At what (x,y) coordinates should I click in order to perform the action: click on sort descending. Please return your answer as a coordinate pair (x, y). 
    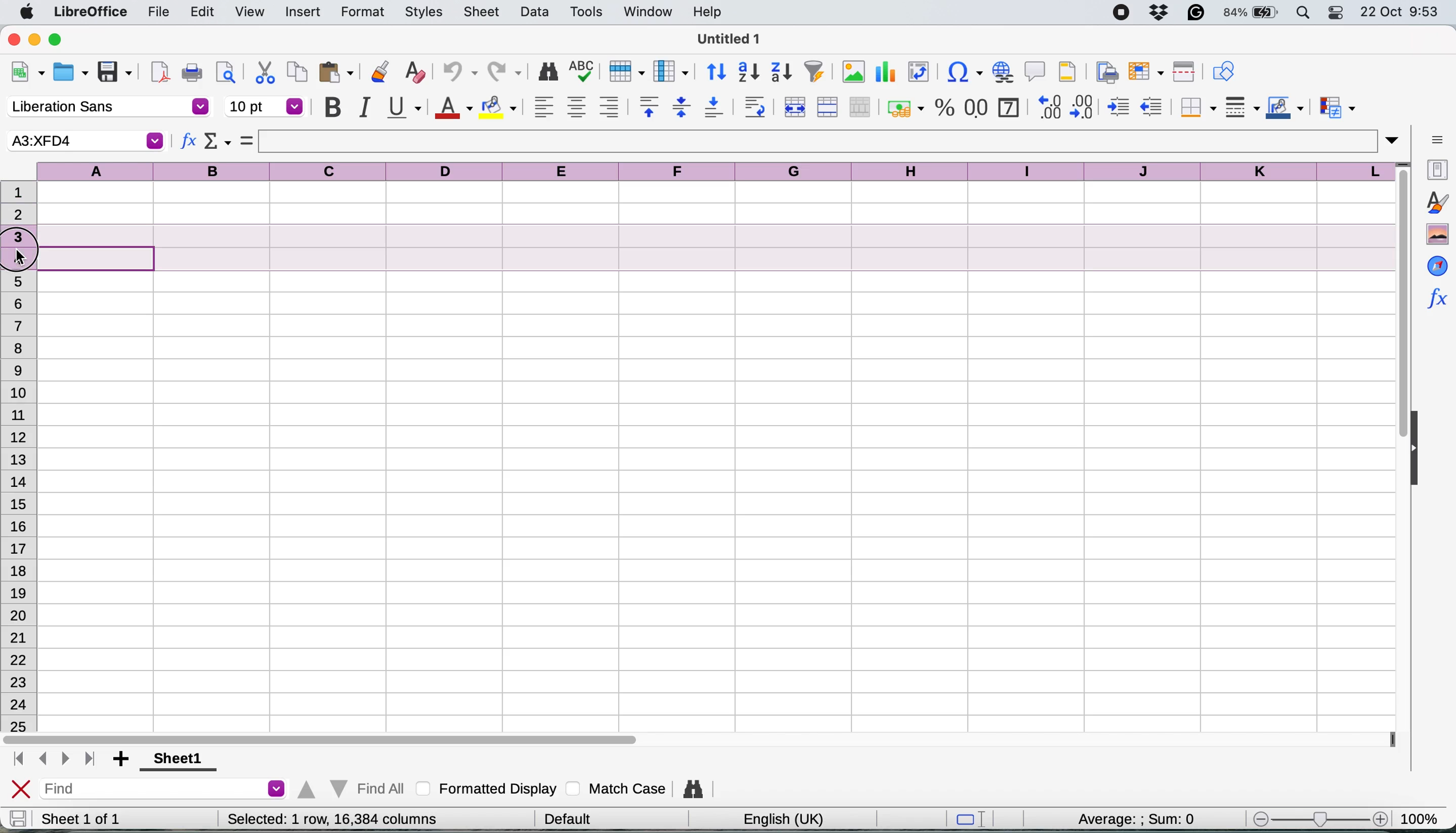
    Looking at the image, I should click on (782, 73).